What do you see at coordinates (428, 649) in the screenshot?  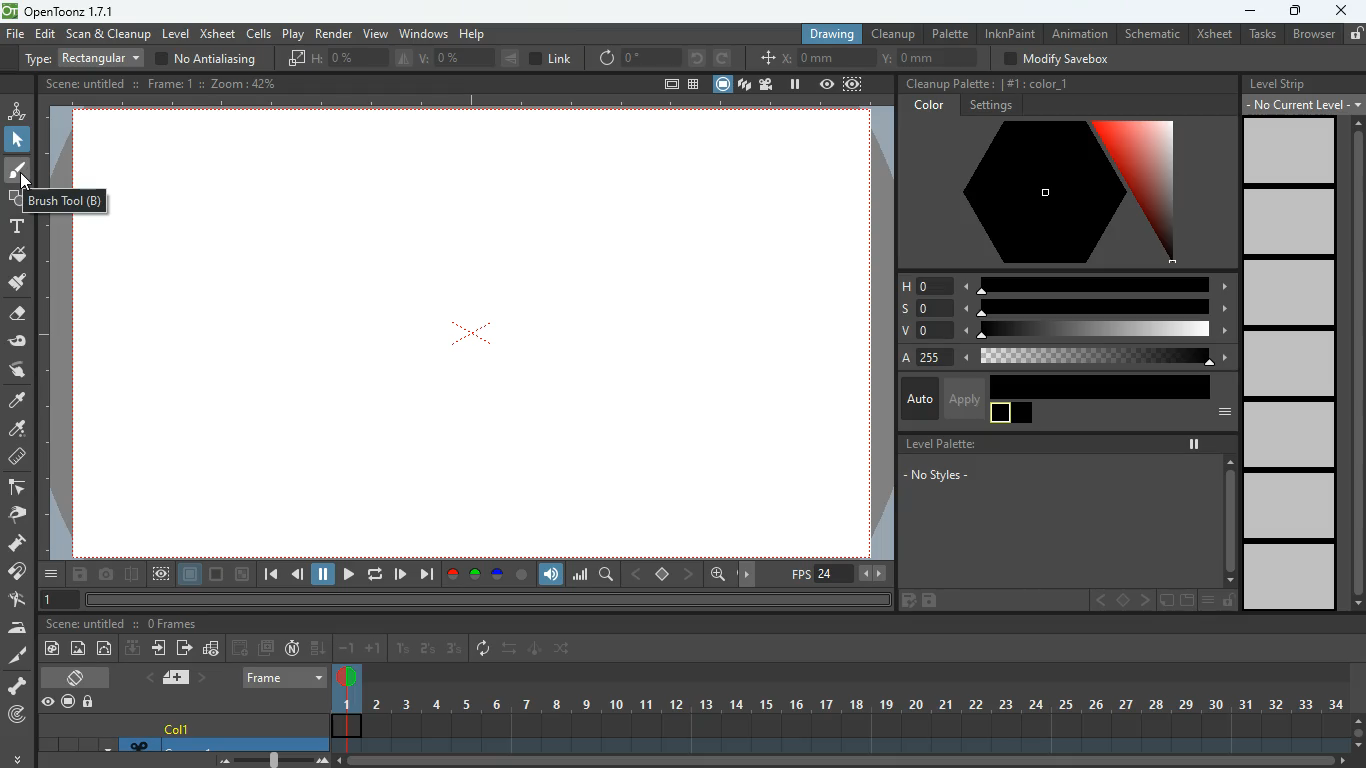 I see `2` at bounding box center [428, 649].